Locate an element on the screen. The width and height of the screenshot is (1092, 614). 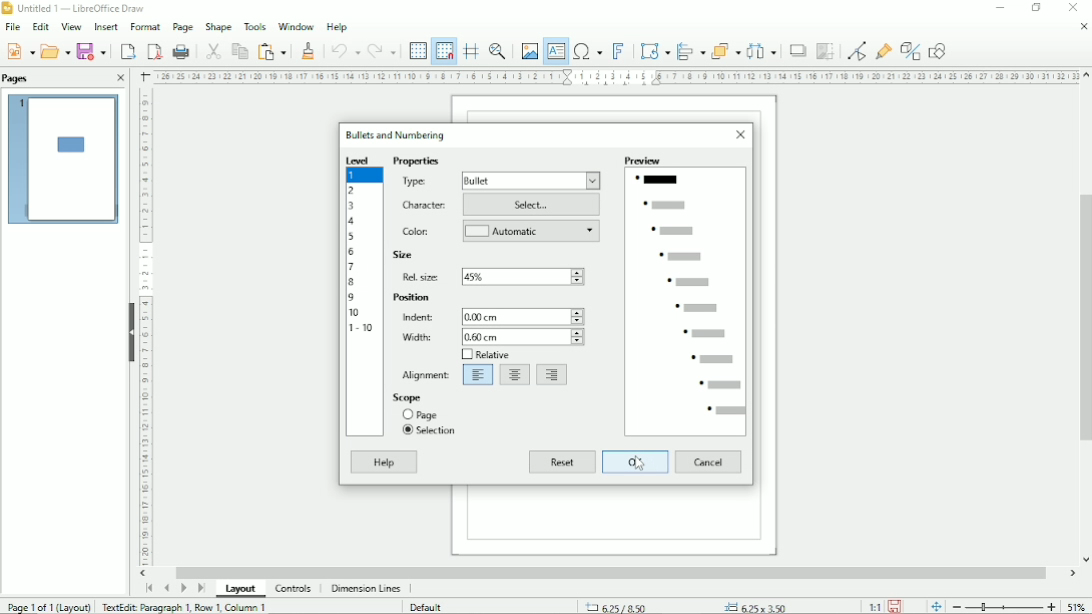
Cancel is located at coordinates (709, 462).